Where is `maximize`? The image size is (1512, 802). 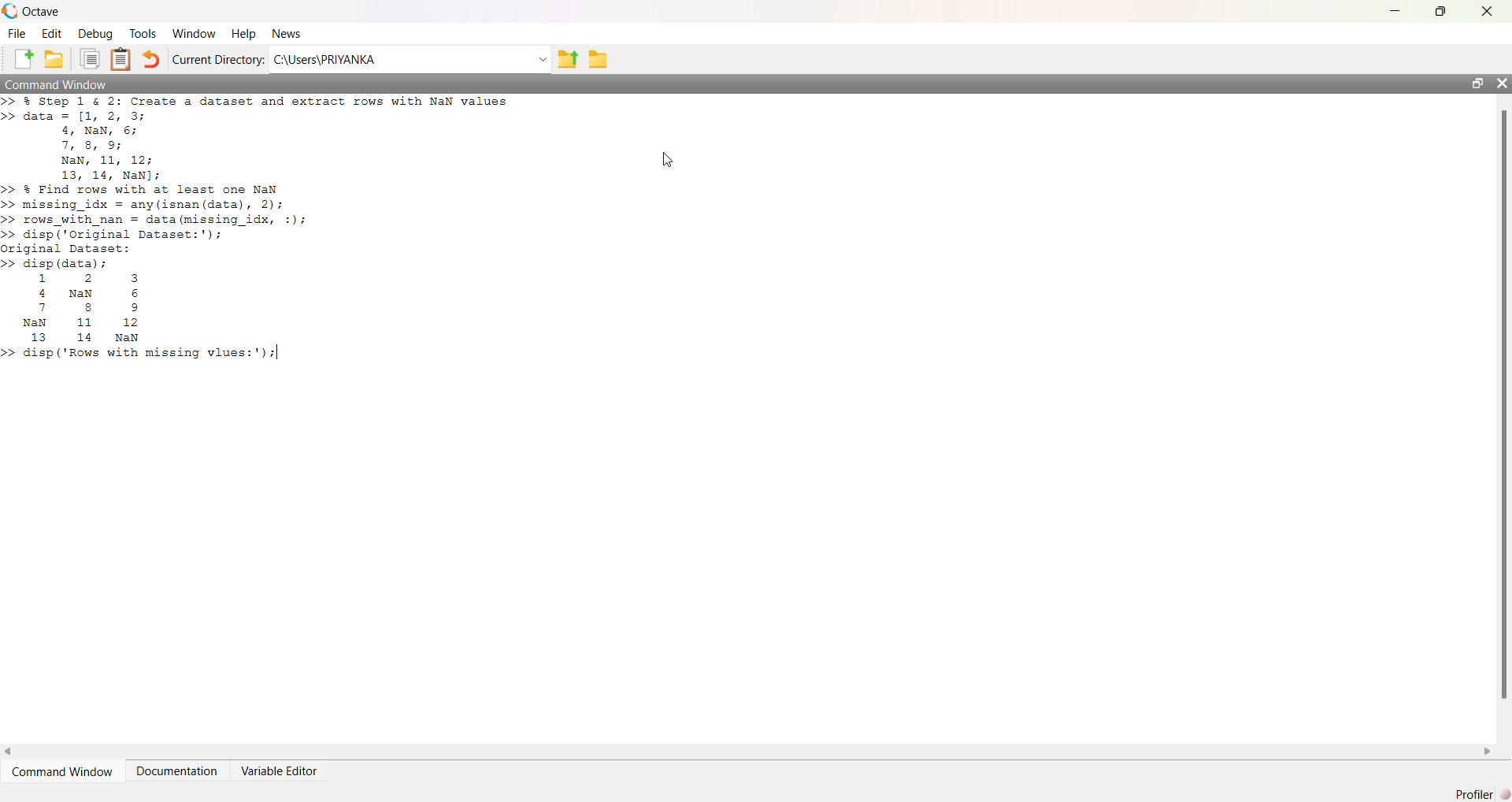
maximize is located at coordinates (1477, 83).